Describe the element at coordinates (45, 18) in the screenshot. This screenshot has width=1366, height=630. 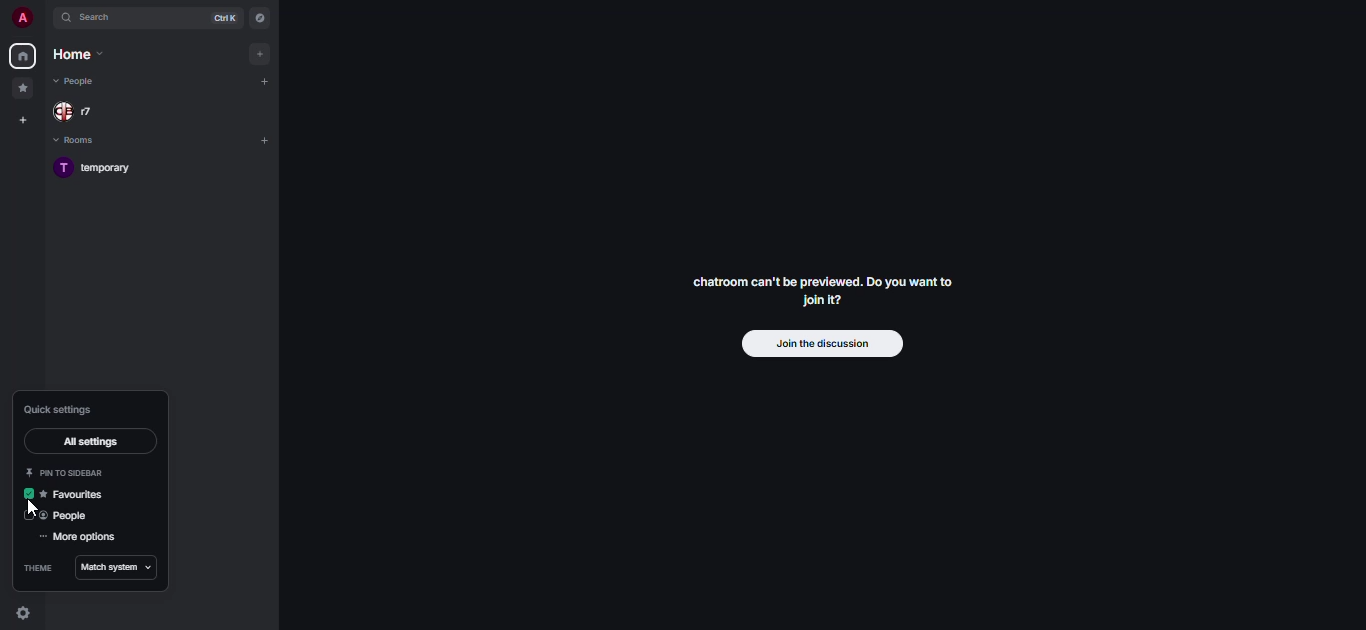
I see `expand` at that location.